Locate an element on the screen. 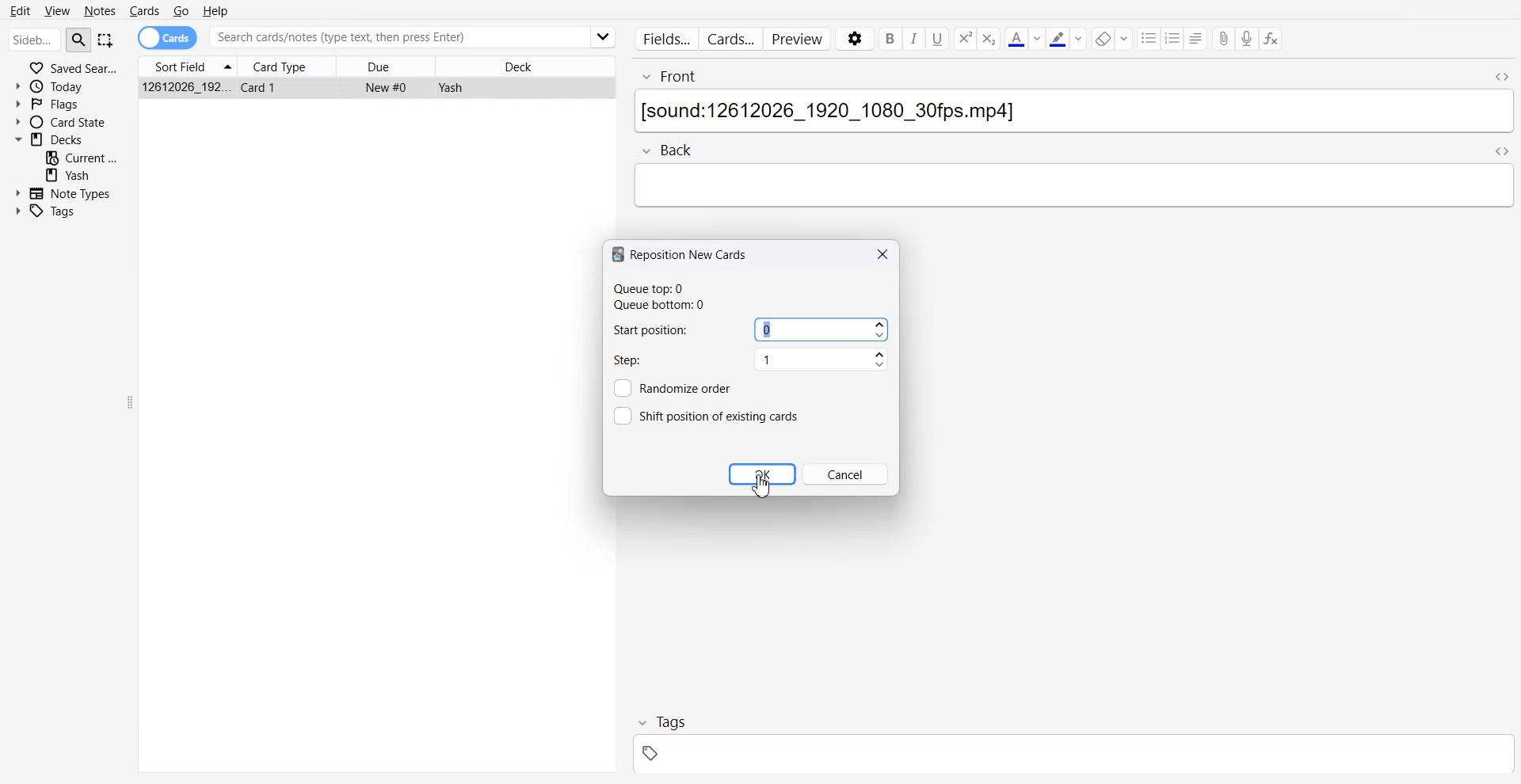 The width and height of the screenshot is (1521, 784). 12612026_192 is located at coordinates (186, 88).